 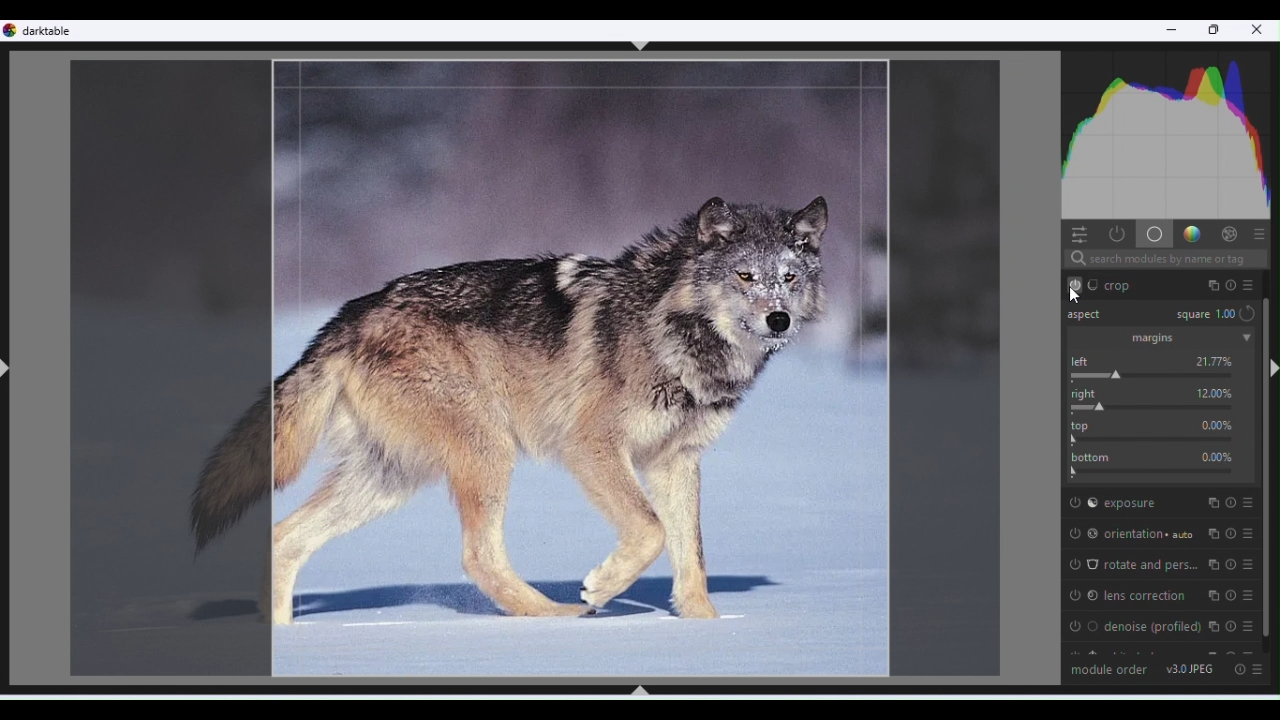 What do you see at coordinates (1077, 233) in the screenshot?
I see `Quick access` at bounding box center [1077, 233].